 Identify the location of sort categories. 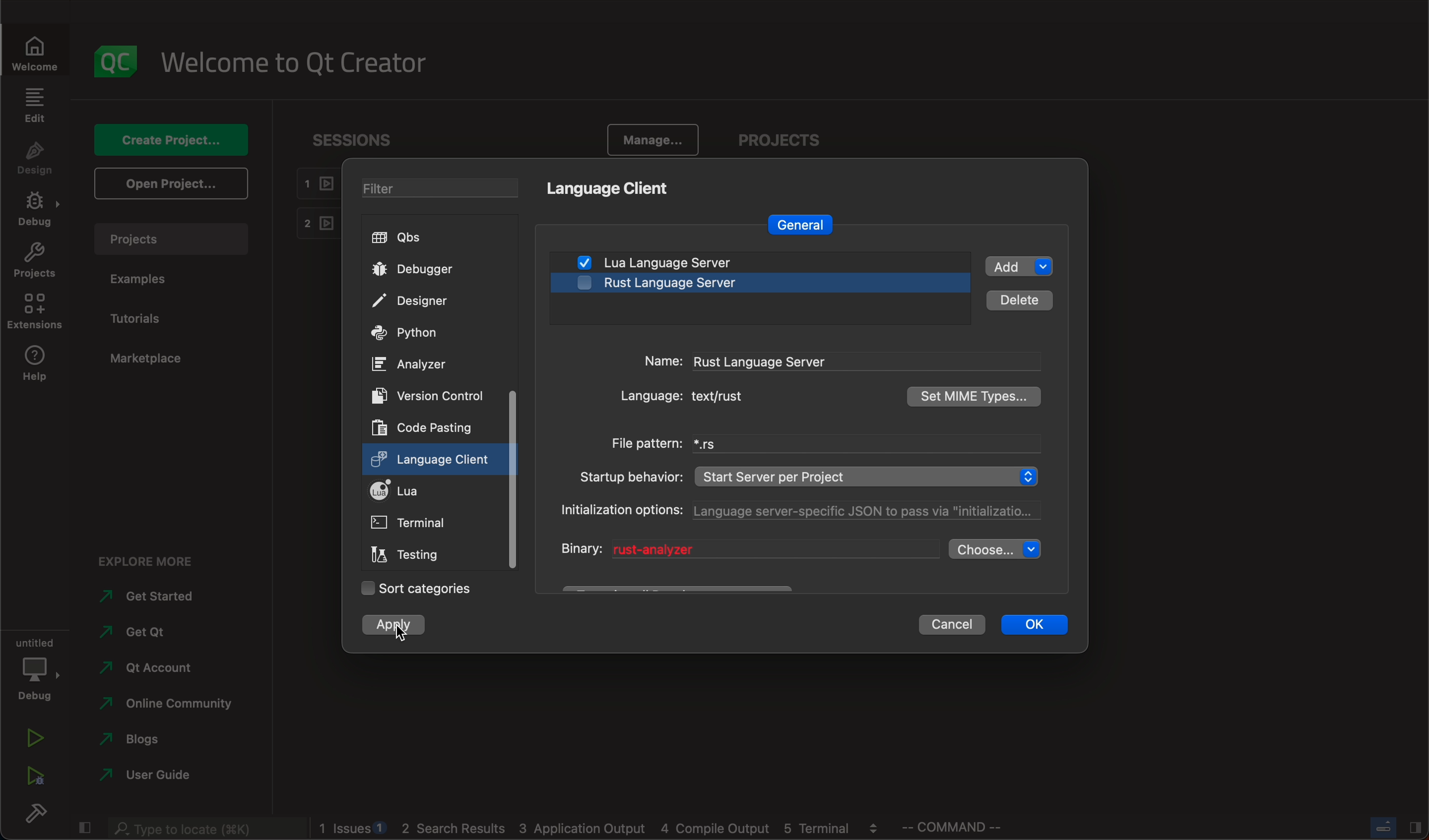
(416, 587).